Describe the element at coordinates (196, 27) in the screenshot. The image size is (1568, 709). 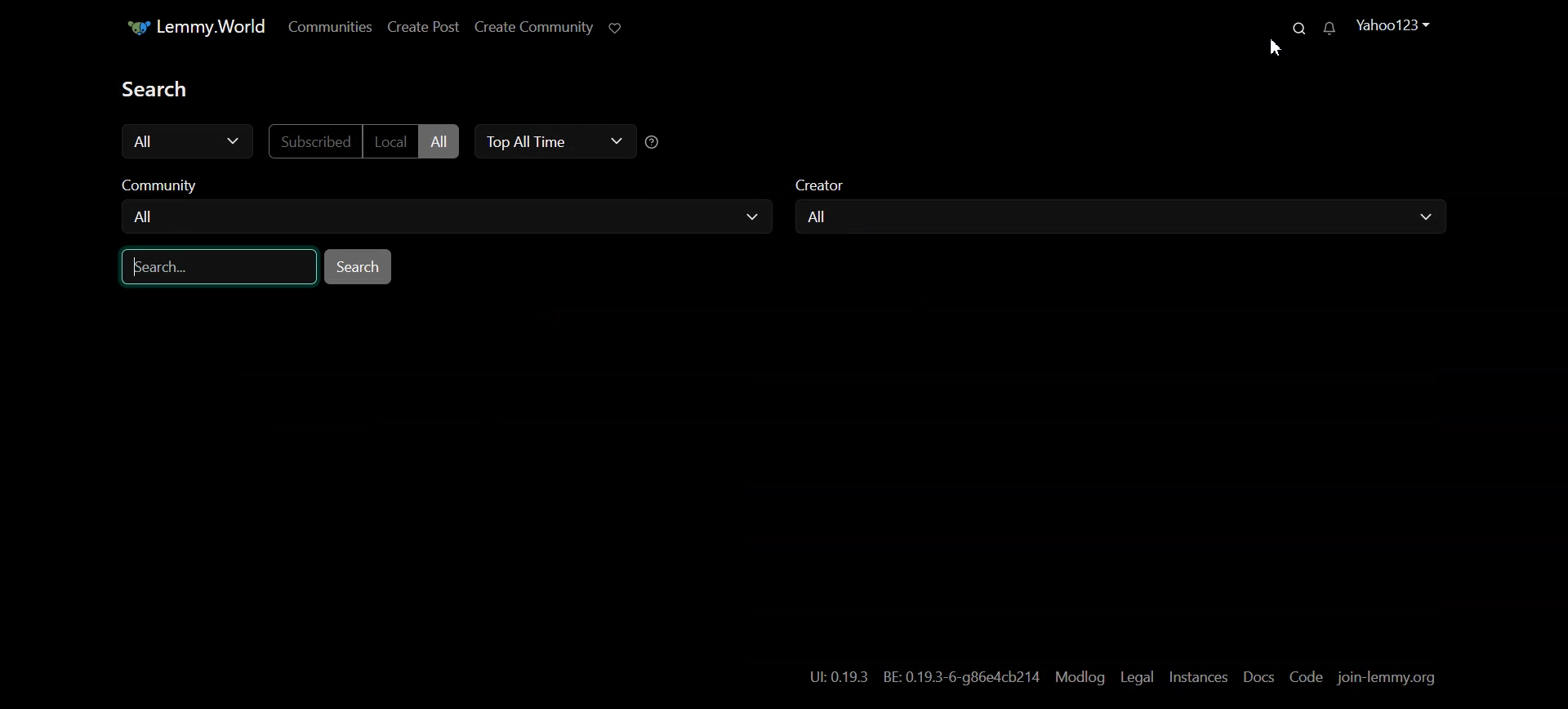
I see `Lemmy.World` at that location.